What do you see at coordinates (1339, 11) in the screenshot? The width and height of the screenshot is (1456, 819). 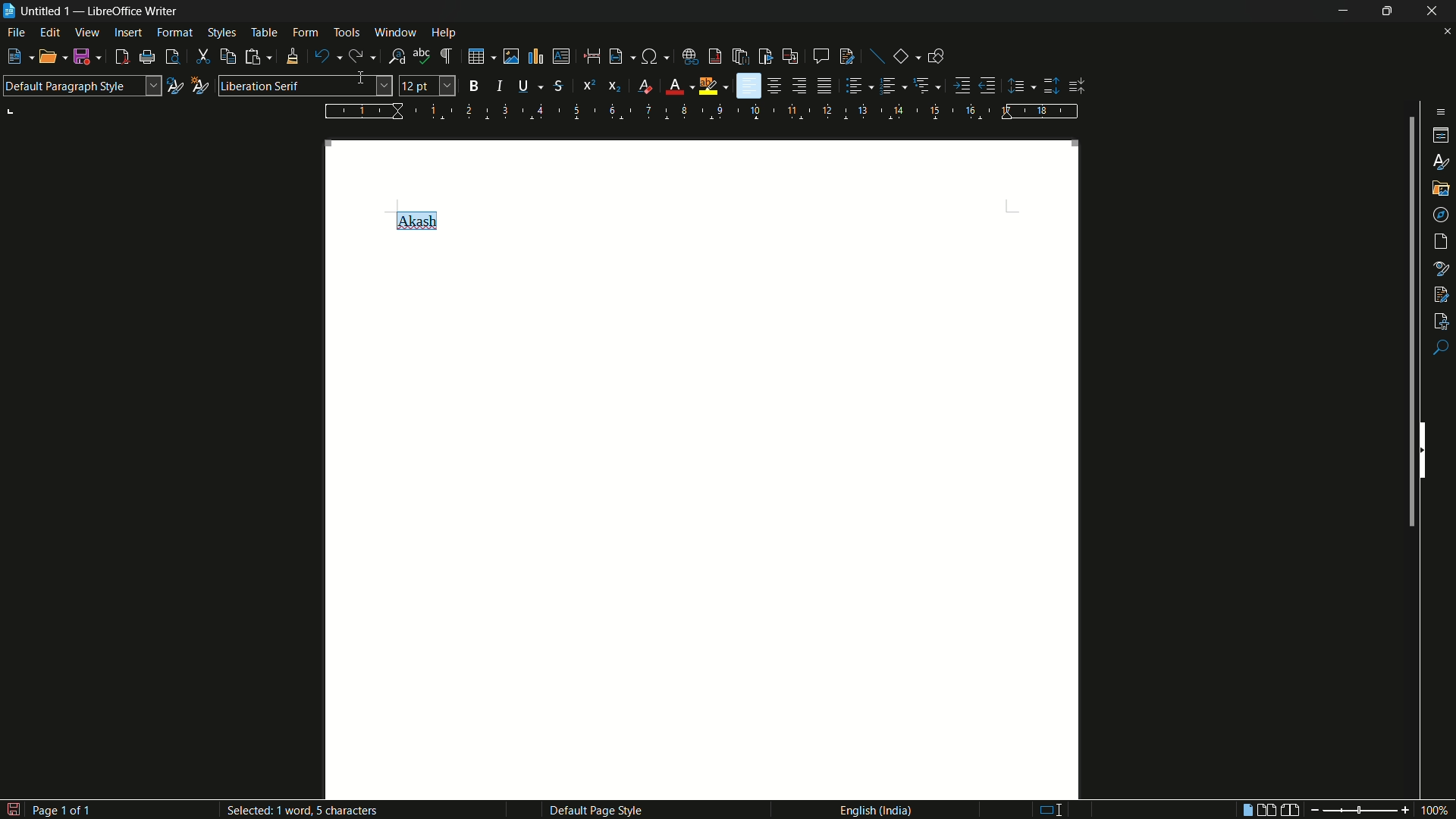 I see `minimize` at bounding box center [1339, 11].